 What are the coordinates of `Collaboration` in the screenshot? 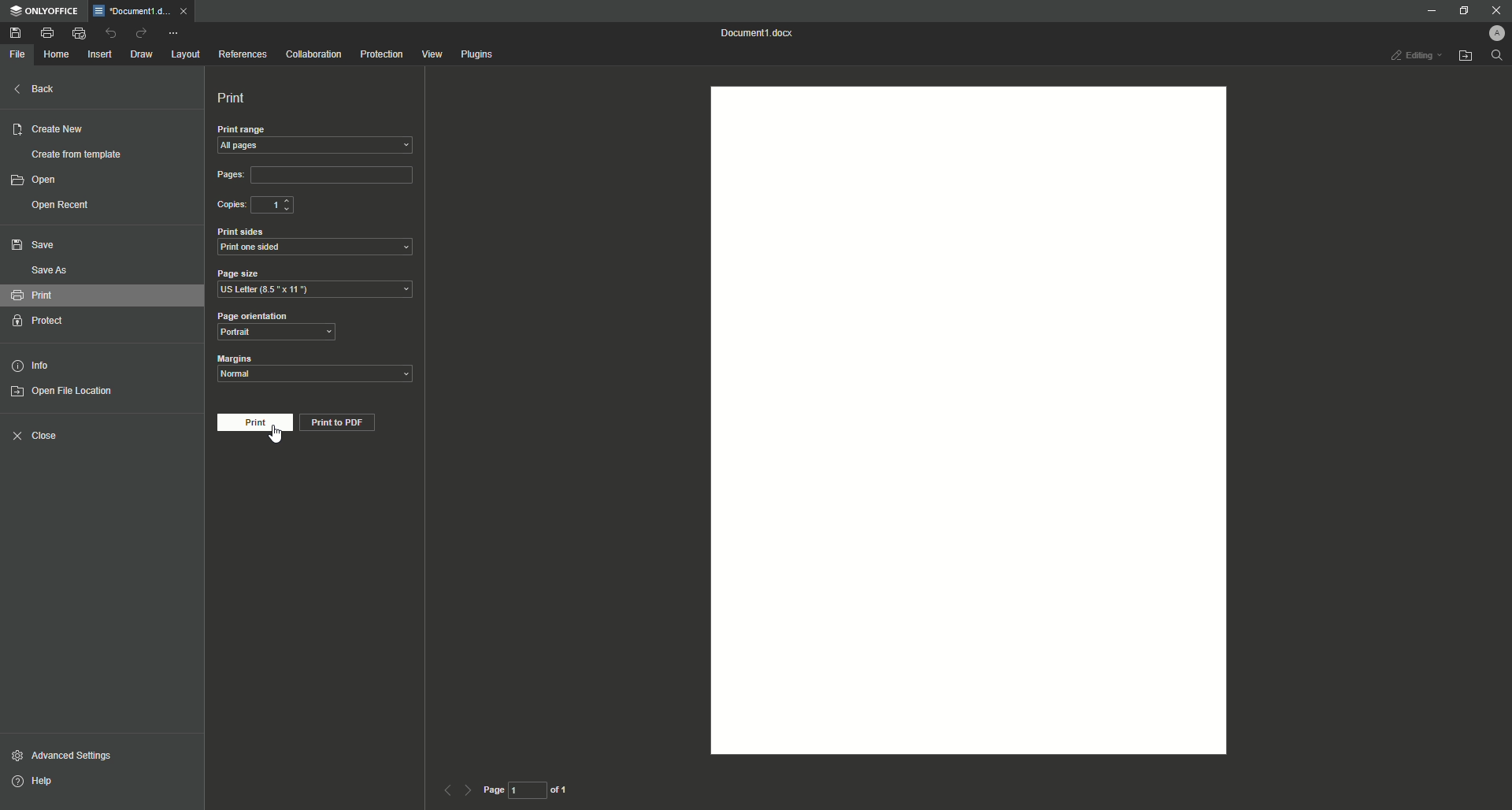 It's located at (313, 56).